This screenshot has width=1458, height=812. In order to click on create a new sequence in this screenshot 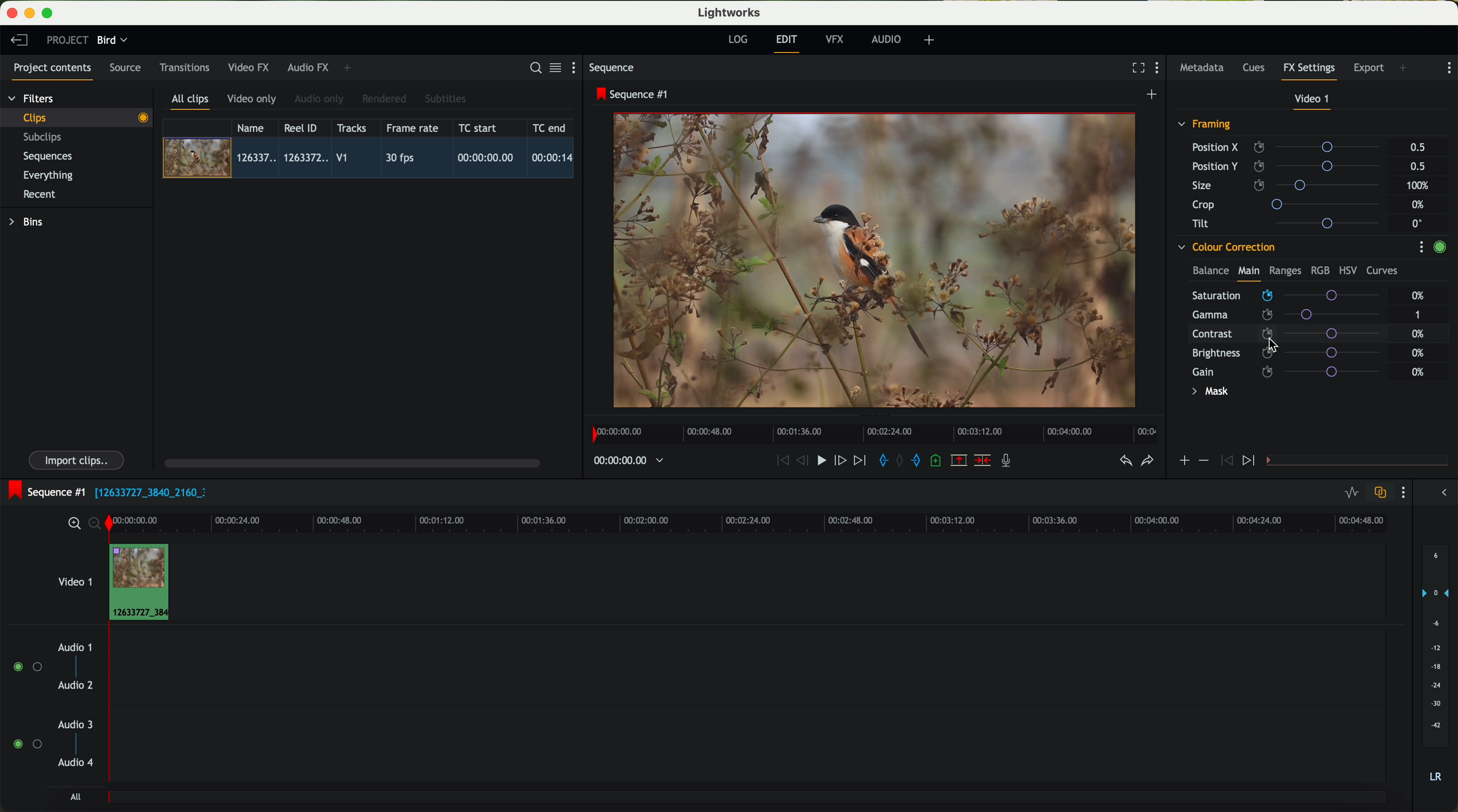, I will do `click(1153, 95)`.